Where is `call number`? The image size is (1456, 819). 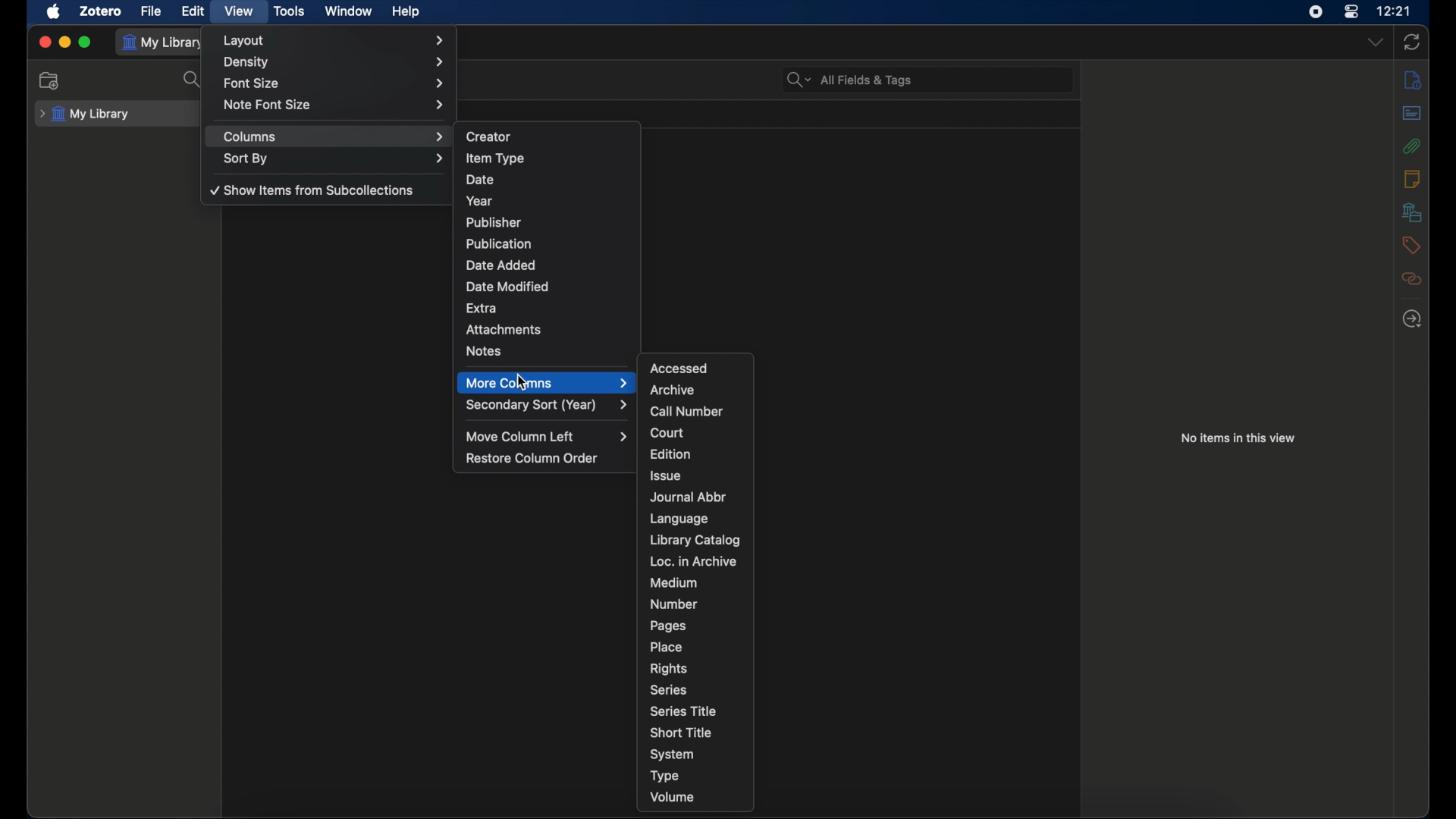
call number is located at coordinates (687, 412).